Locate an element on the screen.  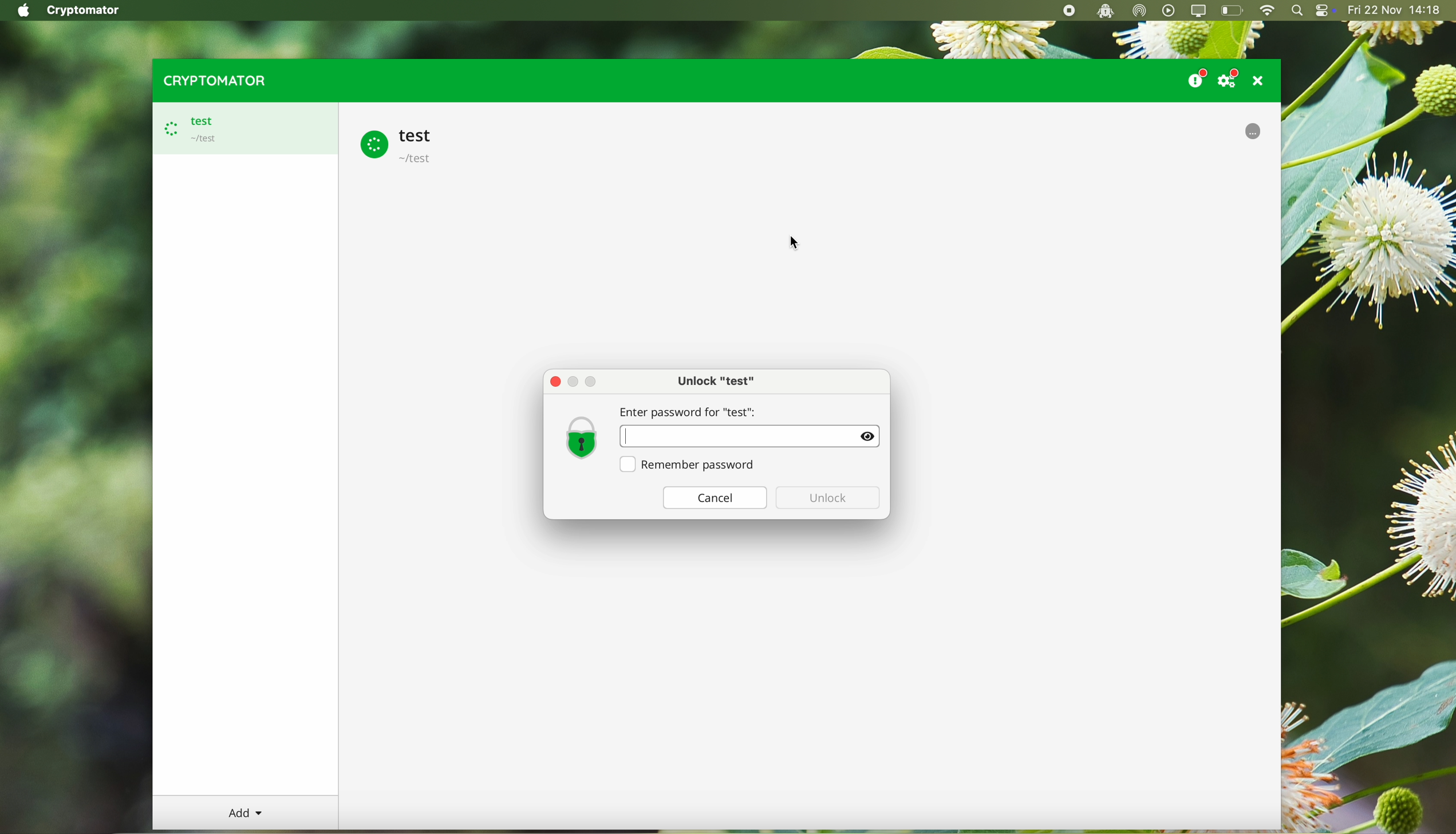
disable unlock button is located at coordinates (831, 499).